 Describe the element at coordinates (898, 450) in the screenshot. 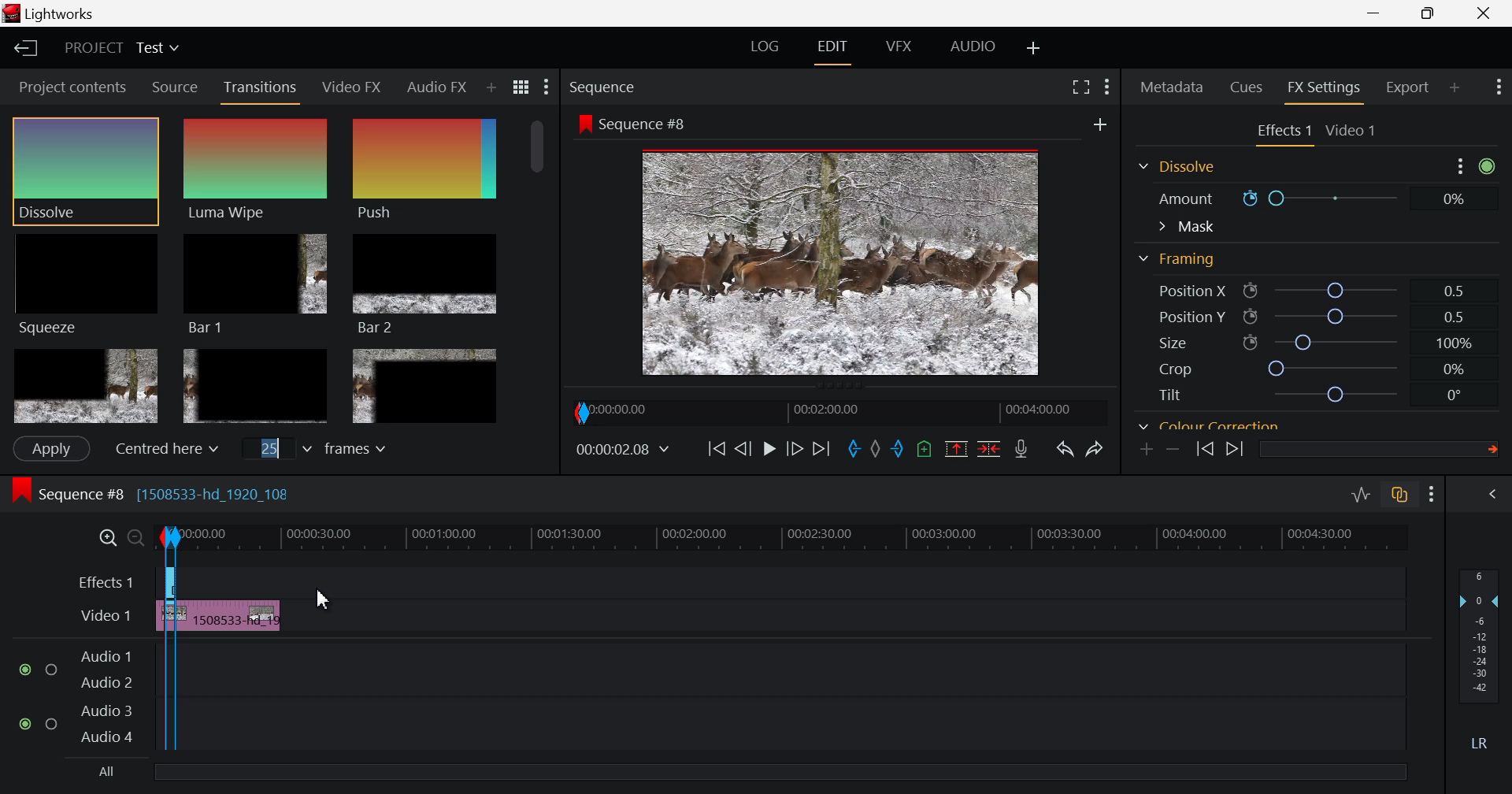

I see `Out mark` at that location.